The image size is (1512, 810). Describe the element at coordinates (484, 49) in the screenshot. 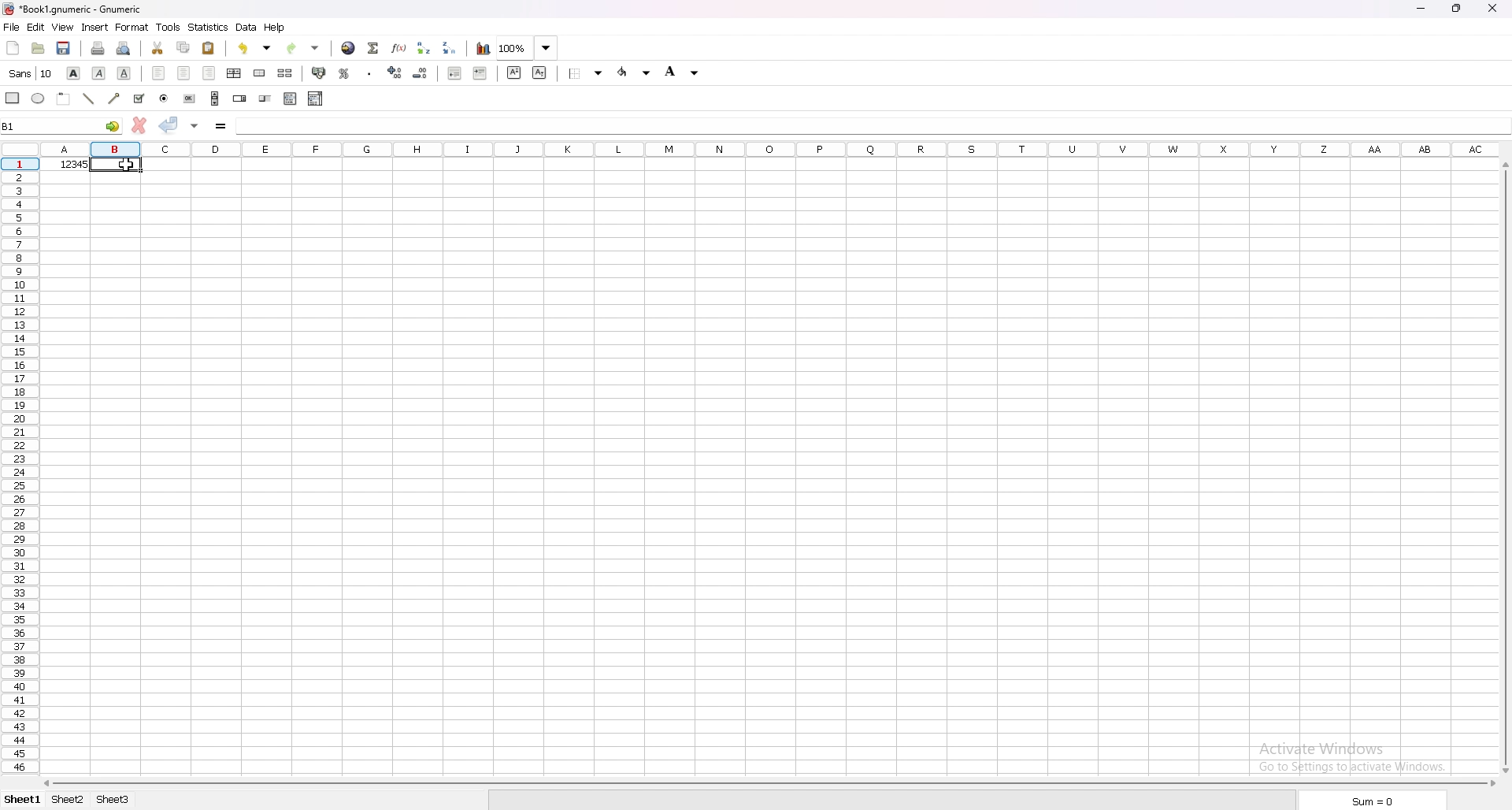

I see `chart` at that location.